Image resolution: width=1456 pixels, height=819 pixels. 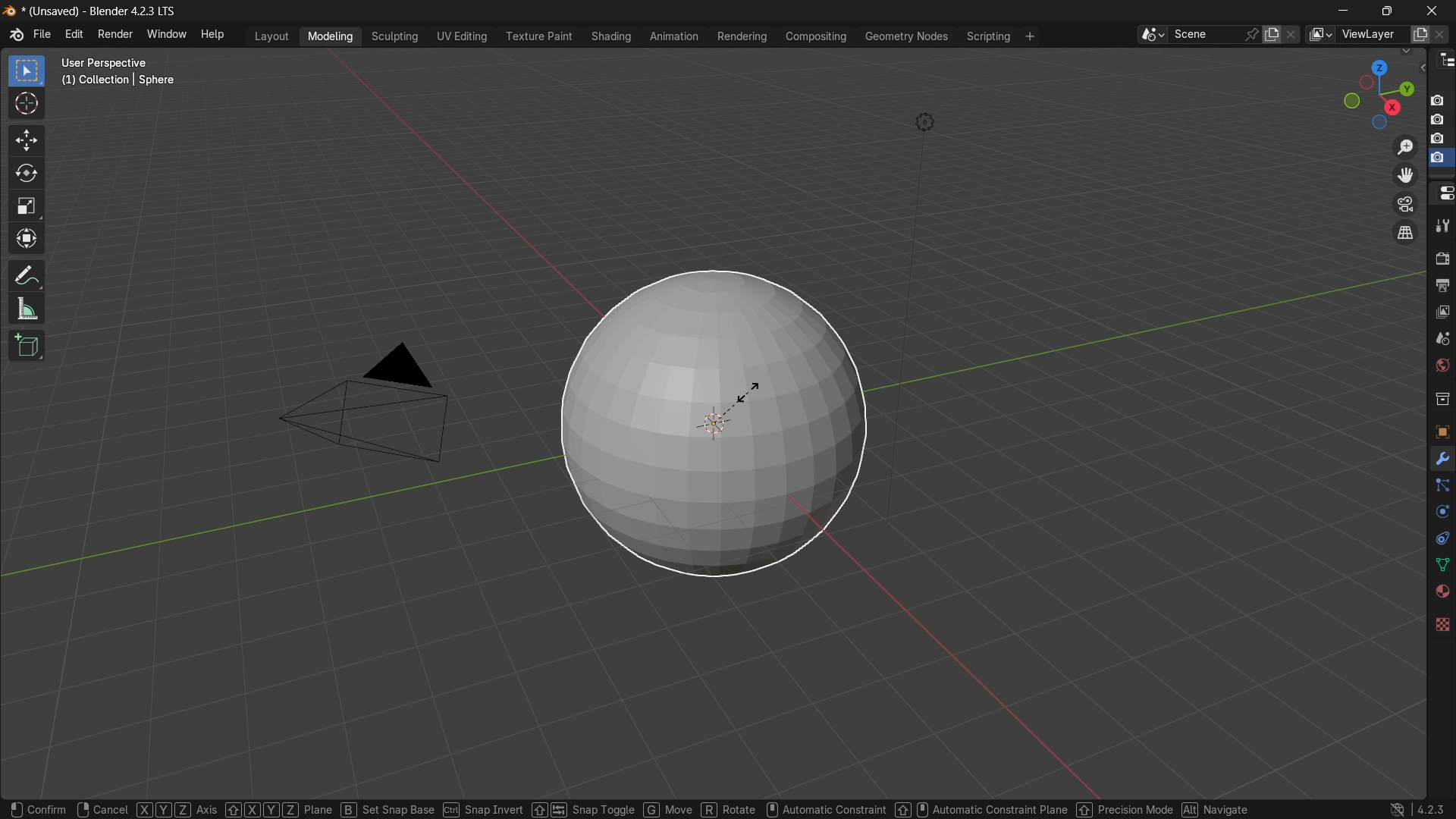 What do you see at coordinates (1442, 340) in the screenshot?
I see `scenes` at bounding box center [1442, 340].